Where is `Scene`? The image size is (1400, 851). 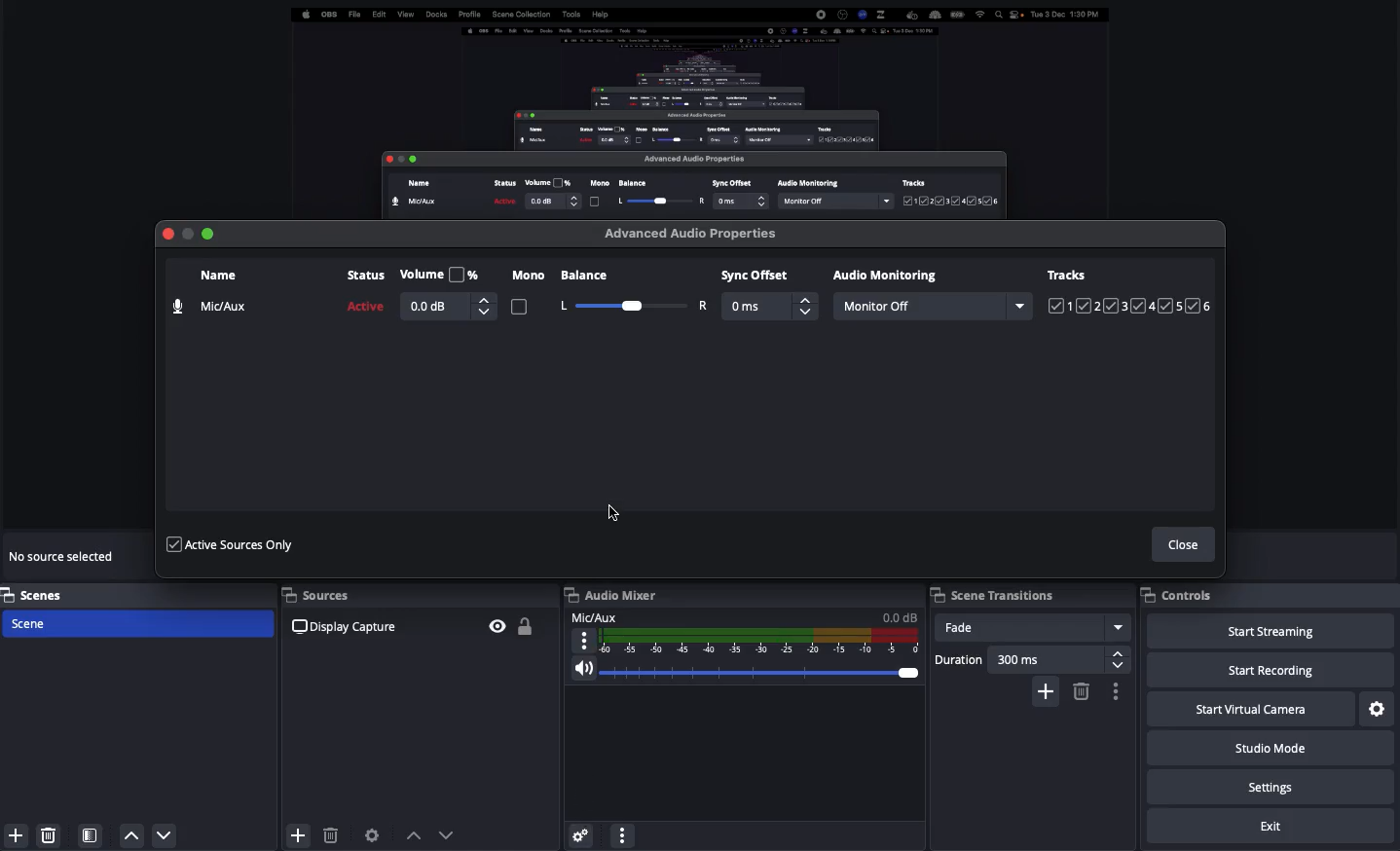 Scene is located at coordinates (139, 624).